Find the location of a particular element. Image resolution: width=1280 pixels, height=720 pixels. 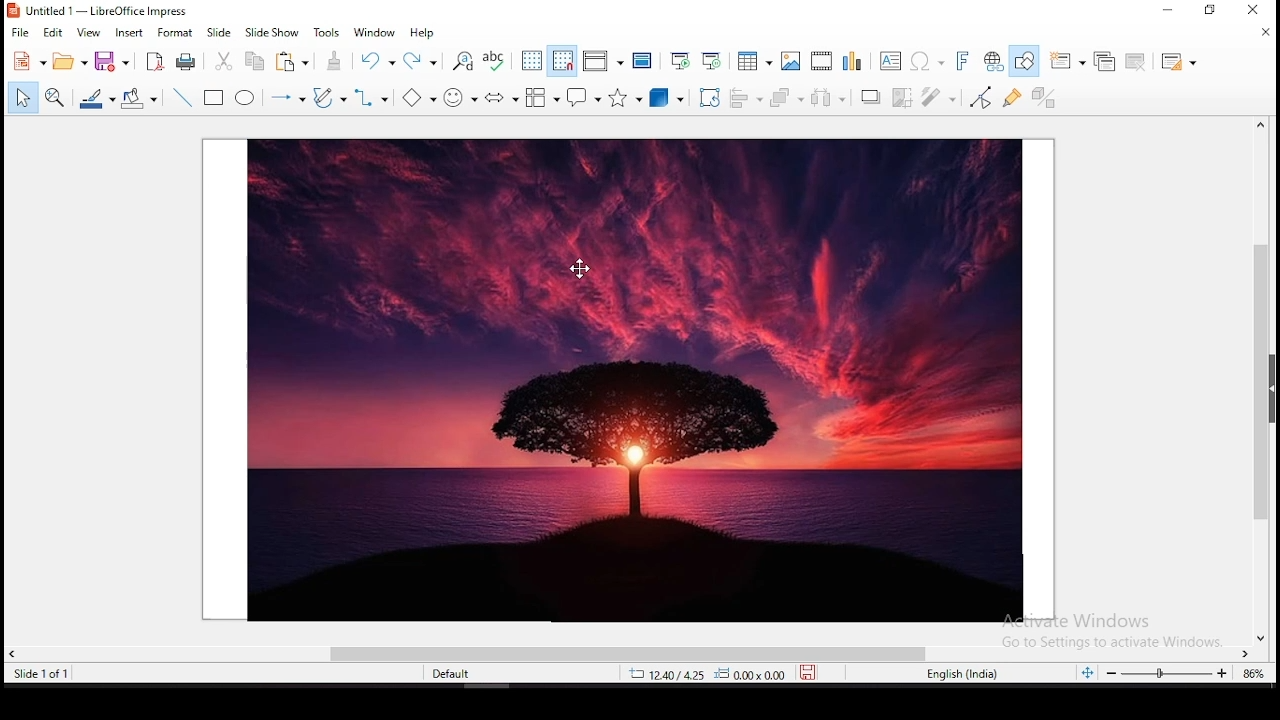

ellipse is located at coordinates (246, 98).